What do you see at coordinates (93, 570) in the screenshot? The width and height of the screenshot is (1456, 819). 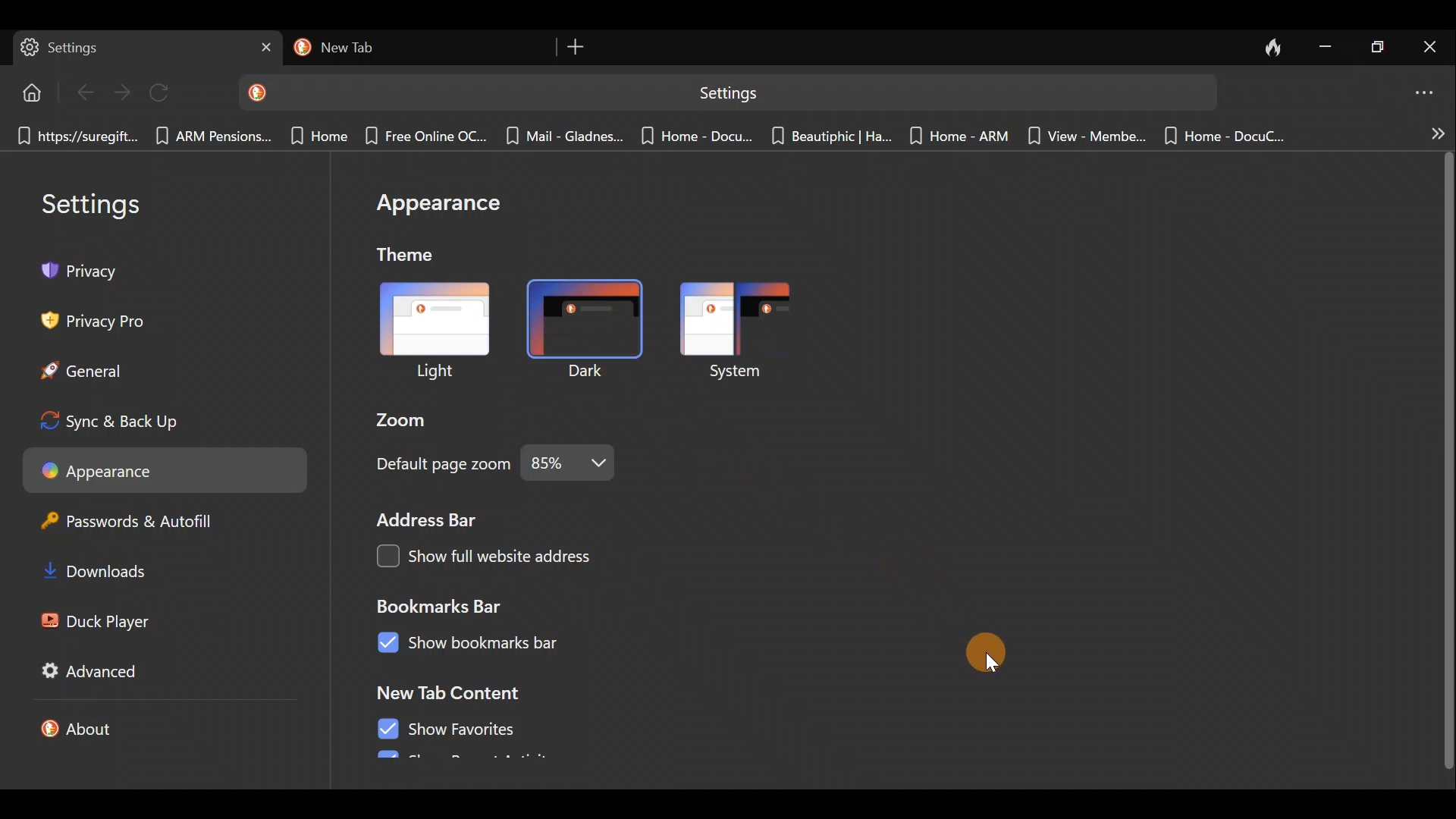 I see `Downloads` at bounding box center [93, 570].